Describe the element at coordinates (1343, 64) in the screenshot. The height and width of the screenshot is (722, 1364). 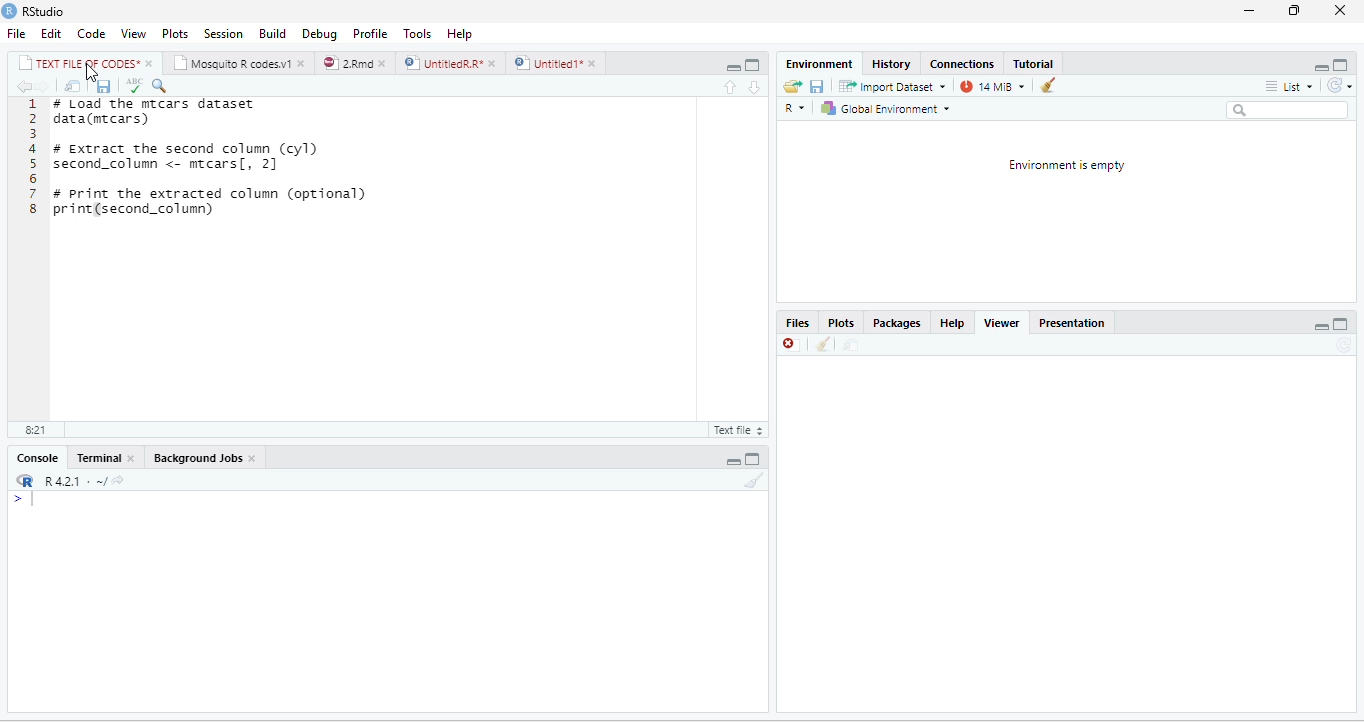
I see `maximize` at that location.